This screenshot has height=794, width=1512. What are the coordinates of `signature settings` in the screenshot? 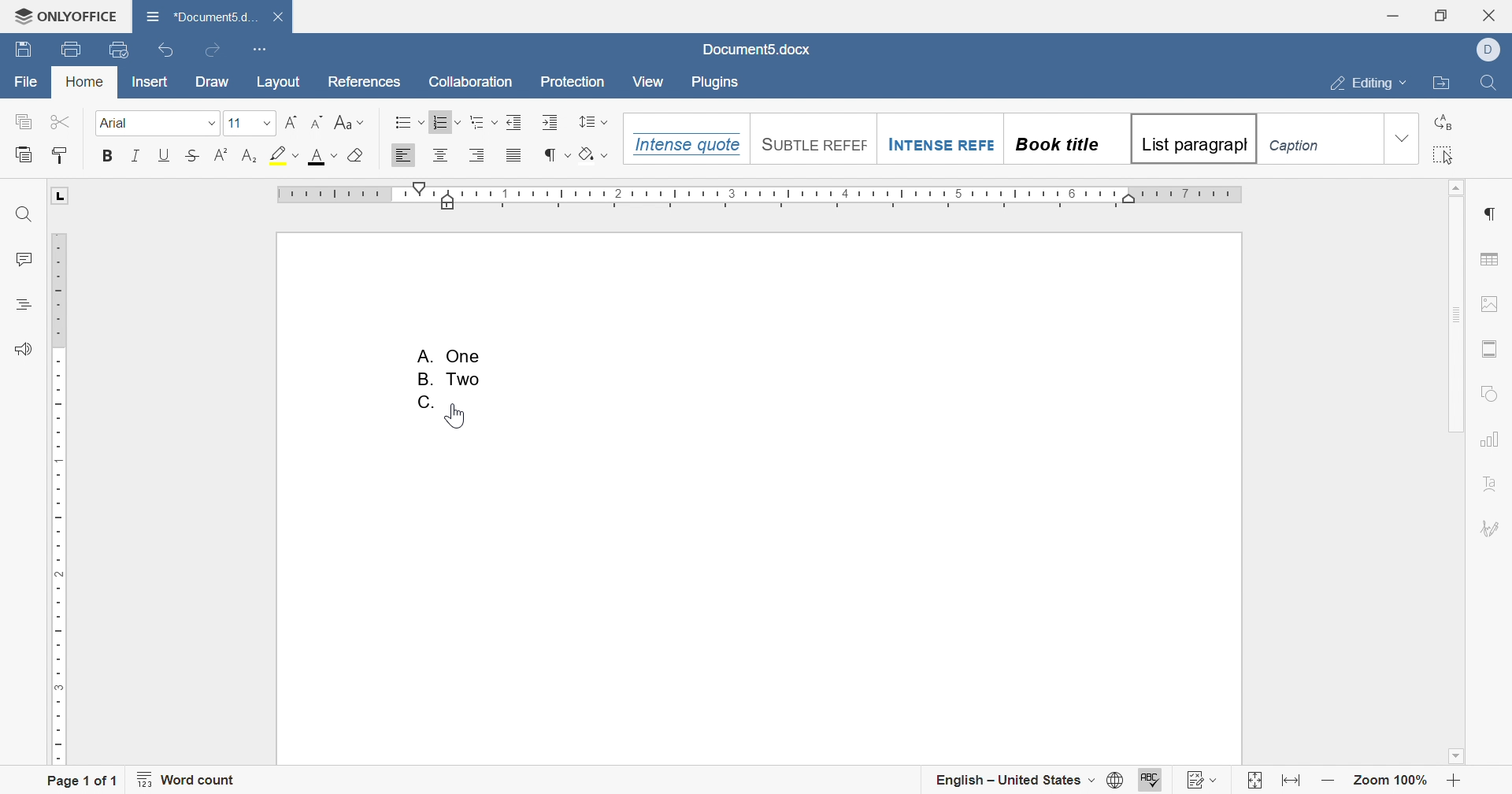 It's located at (1492, 528).